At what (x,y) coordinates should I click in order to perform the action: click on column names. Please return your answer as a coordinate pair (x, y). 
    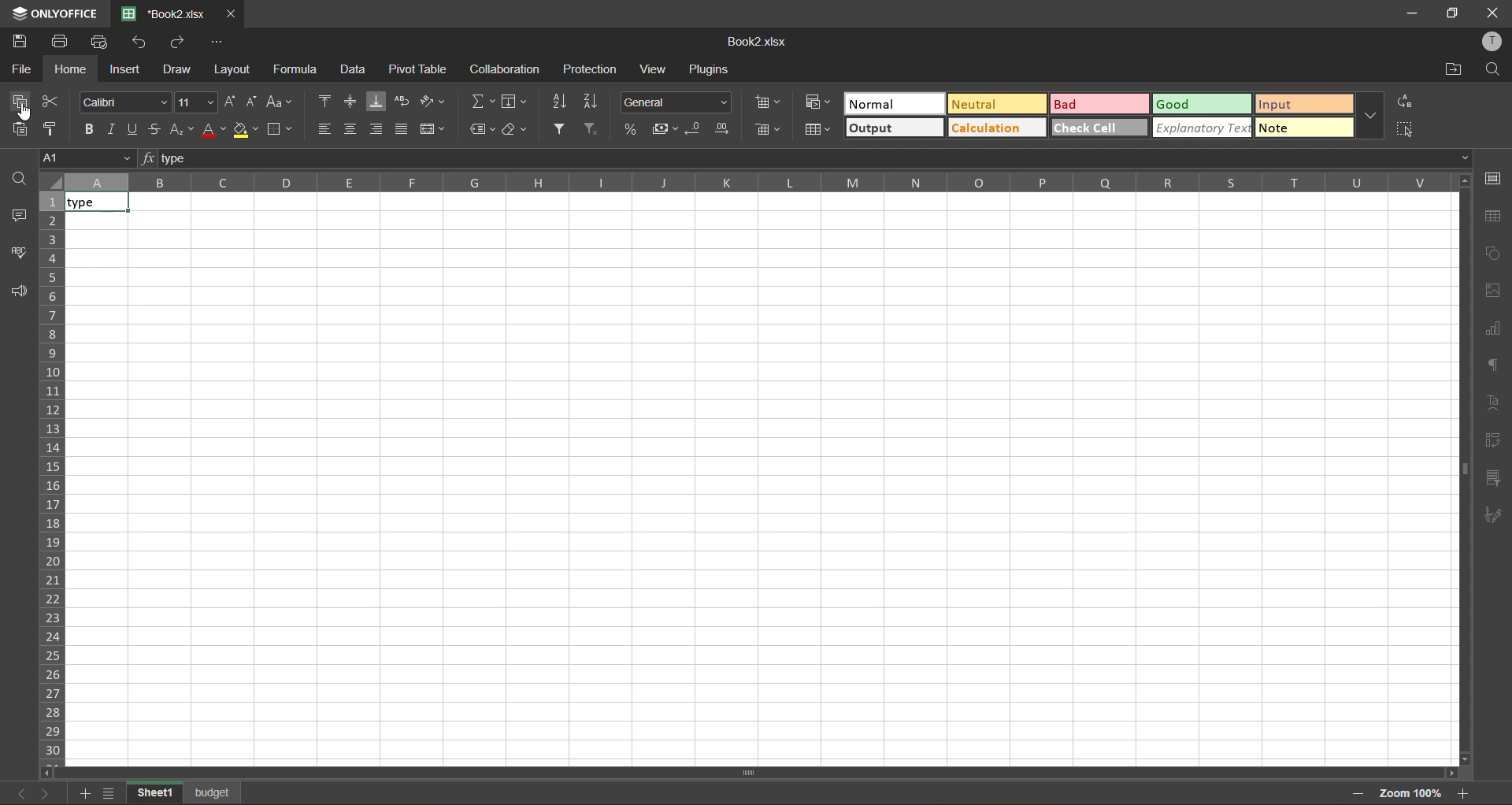
    Looking at the image, I should click on (756, 184).